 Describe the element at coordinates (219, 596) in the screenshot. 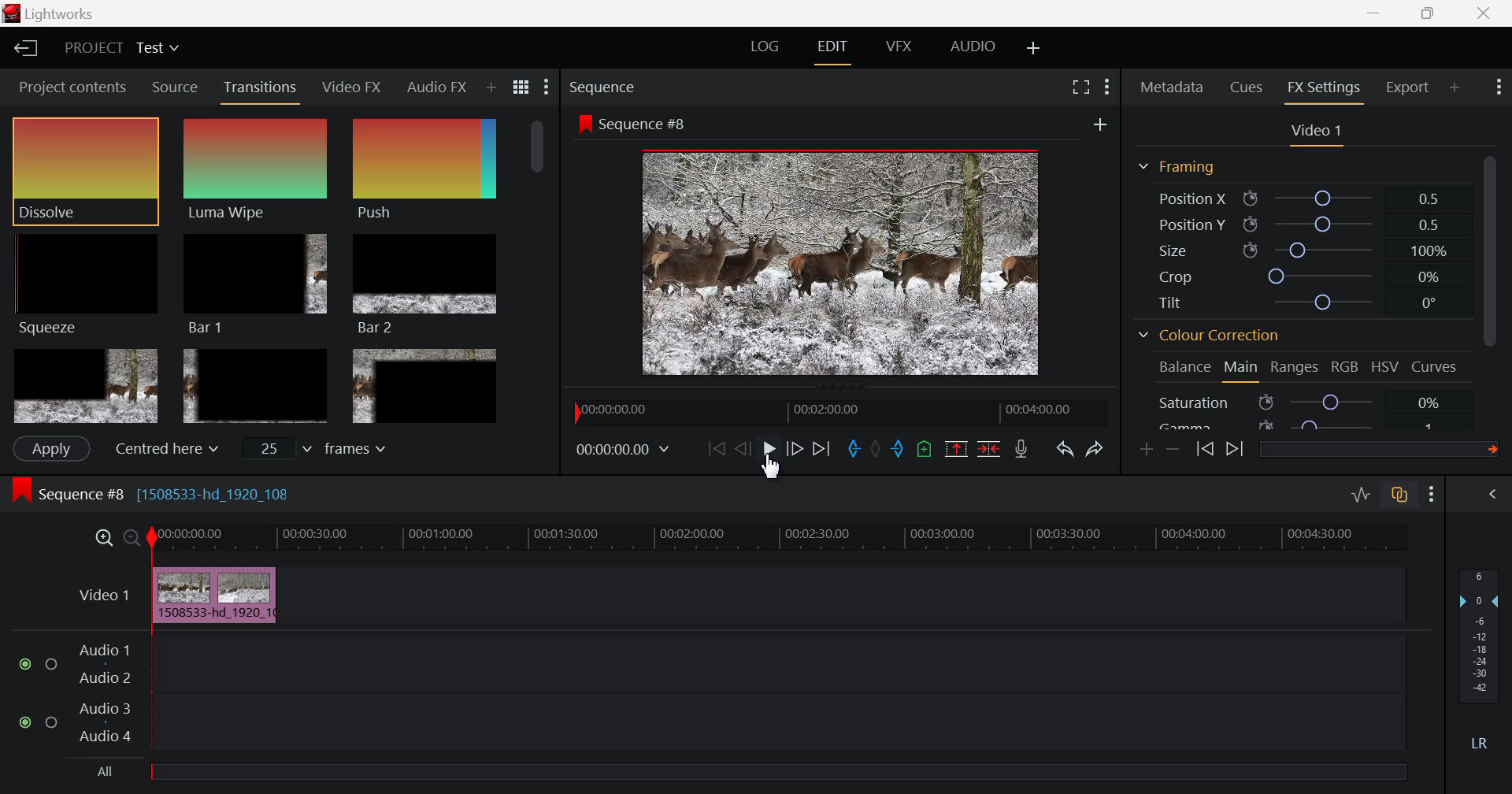

I see `Clip` at that location.